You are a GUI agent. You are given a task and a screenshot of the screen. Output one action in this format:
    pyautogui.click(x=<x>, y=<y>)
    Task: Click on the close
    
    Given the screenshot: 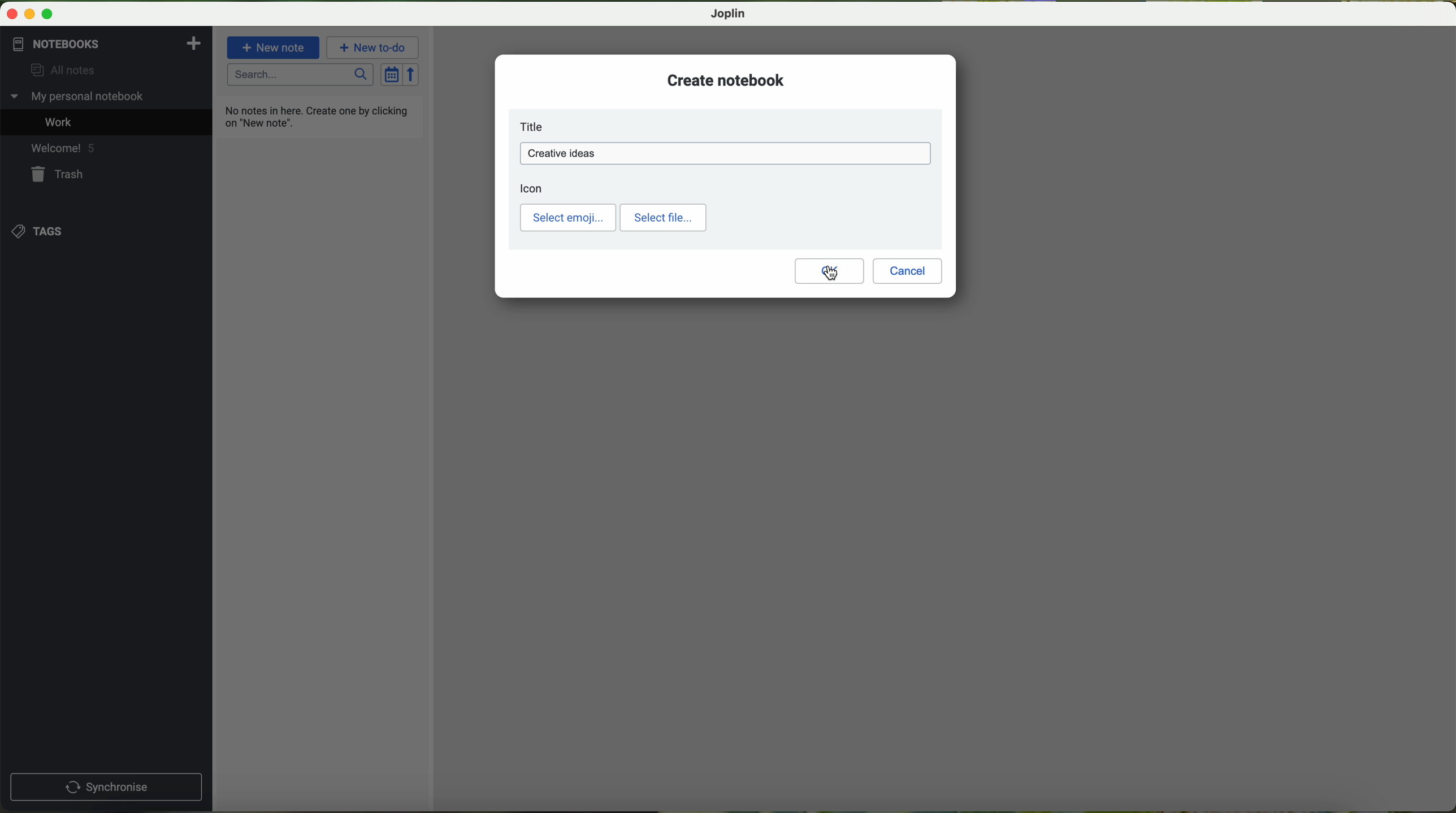 What is the action you would take?
    pyautogui.click(x=13, y=14)
    